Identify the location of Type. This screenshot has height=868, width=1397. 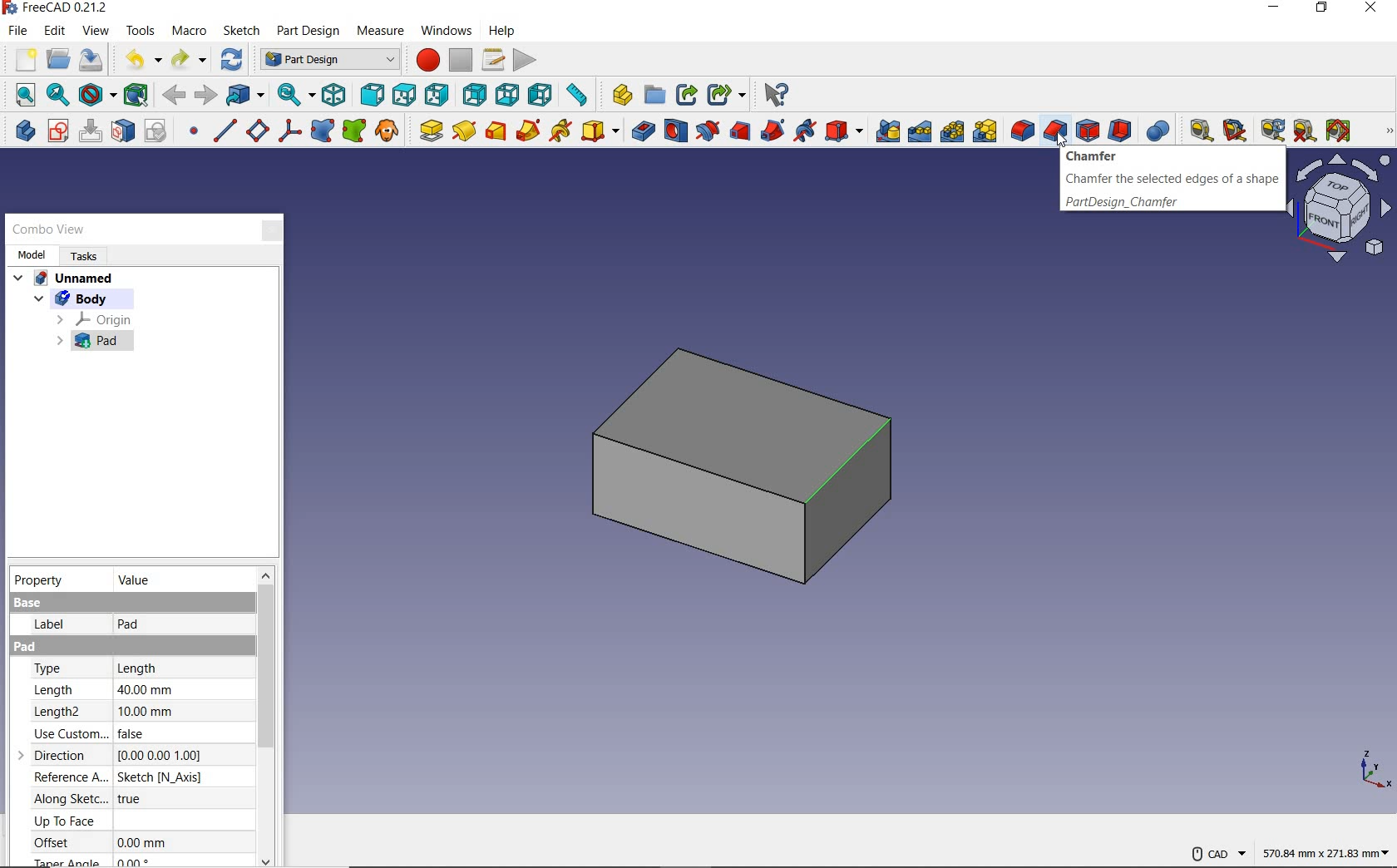
(60, 667).